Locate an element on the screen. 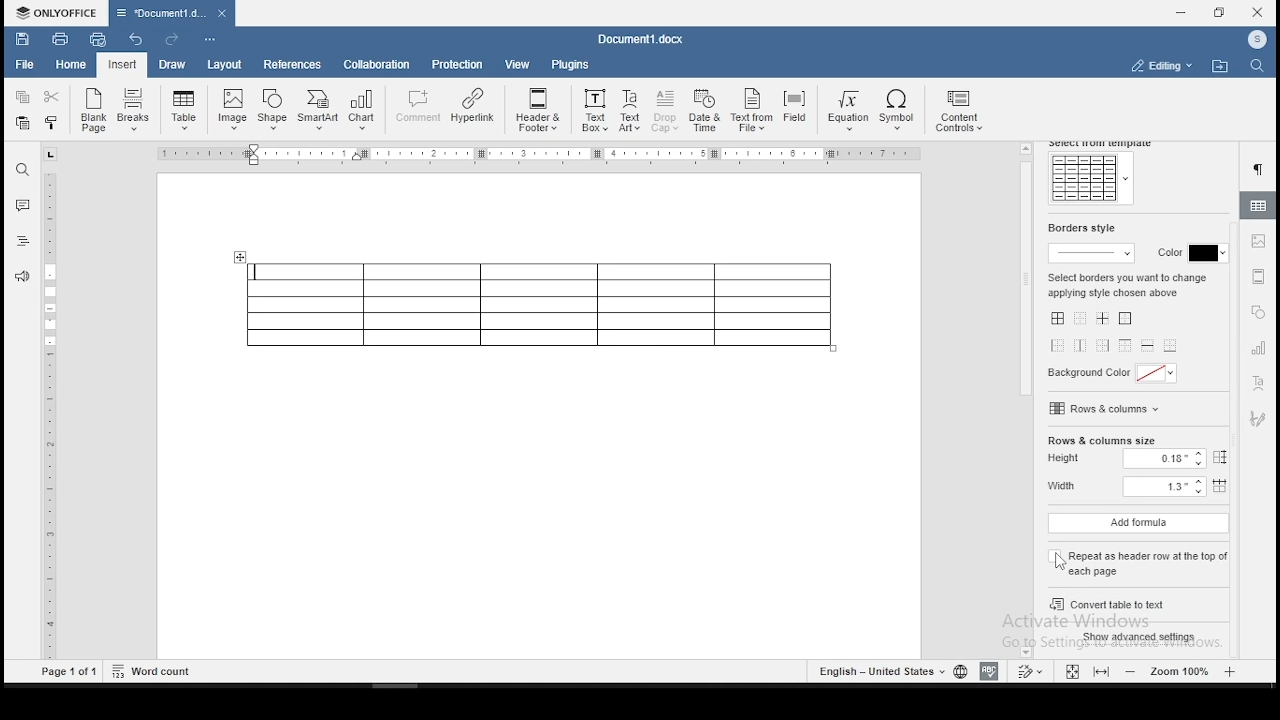  copy is located at coordinates (23, 97).